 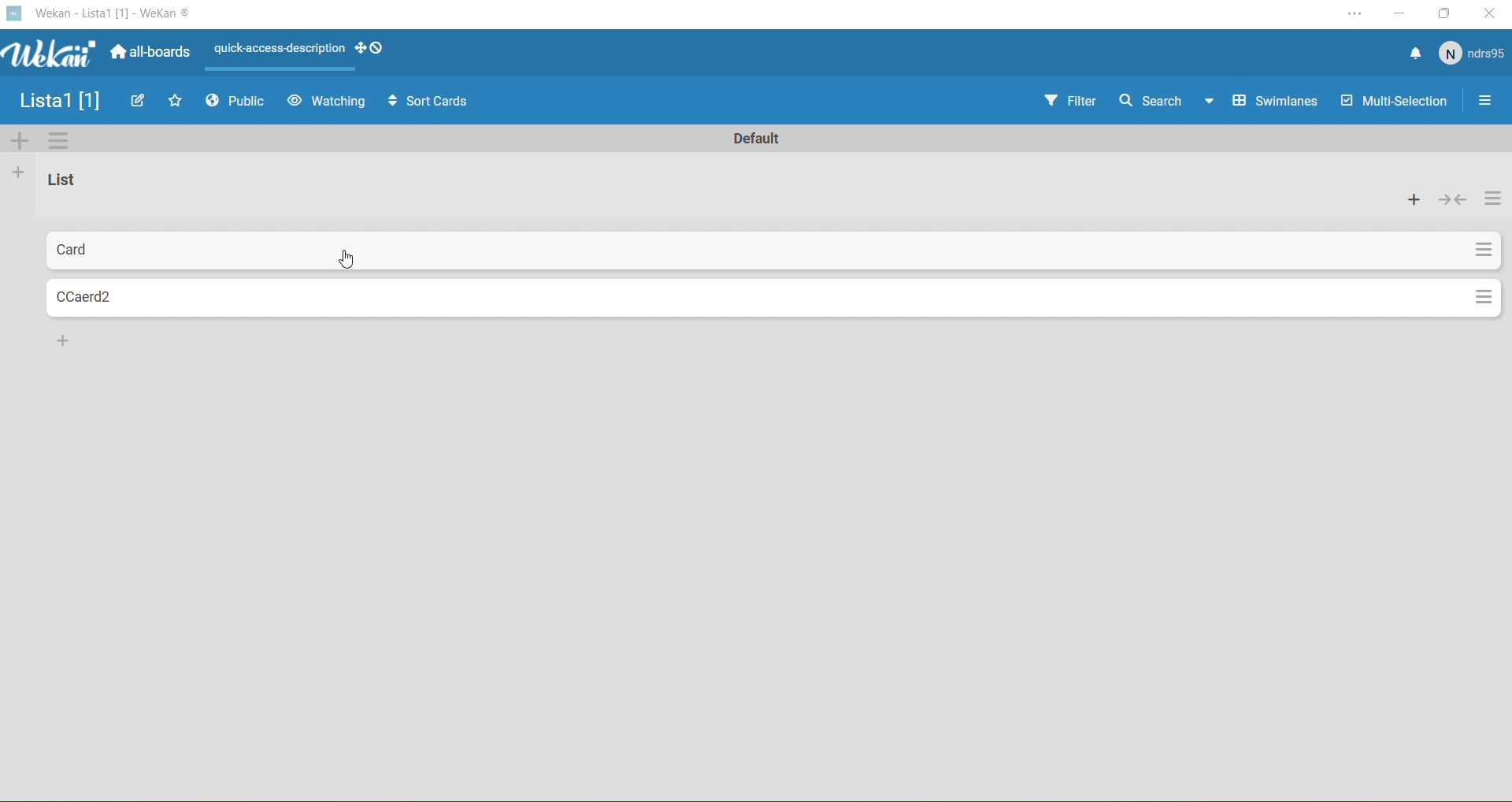 What do you see at coordinates (58, 143) in the screenshot?
I see `Settings` at bounding box center [58, 143].